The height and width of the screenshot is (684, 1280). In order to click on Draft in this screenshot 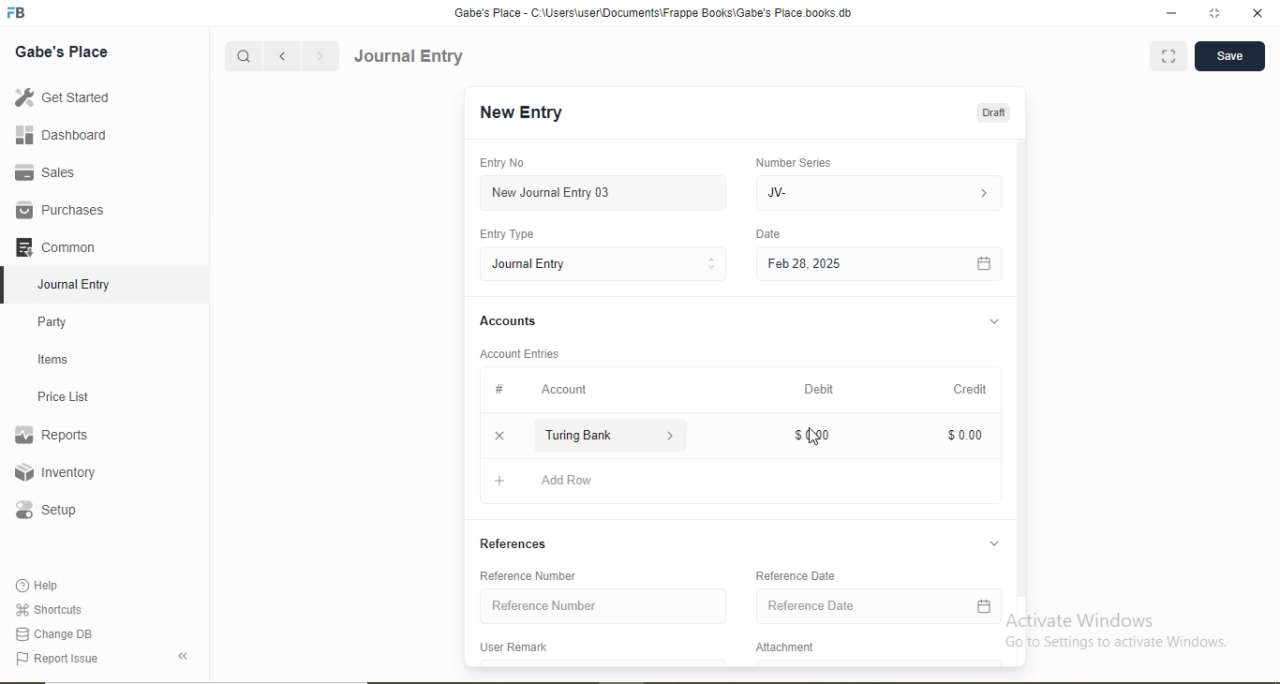, I will do `click(993, 114)`.